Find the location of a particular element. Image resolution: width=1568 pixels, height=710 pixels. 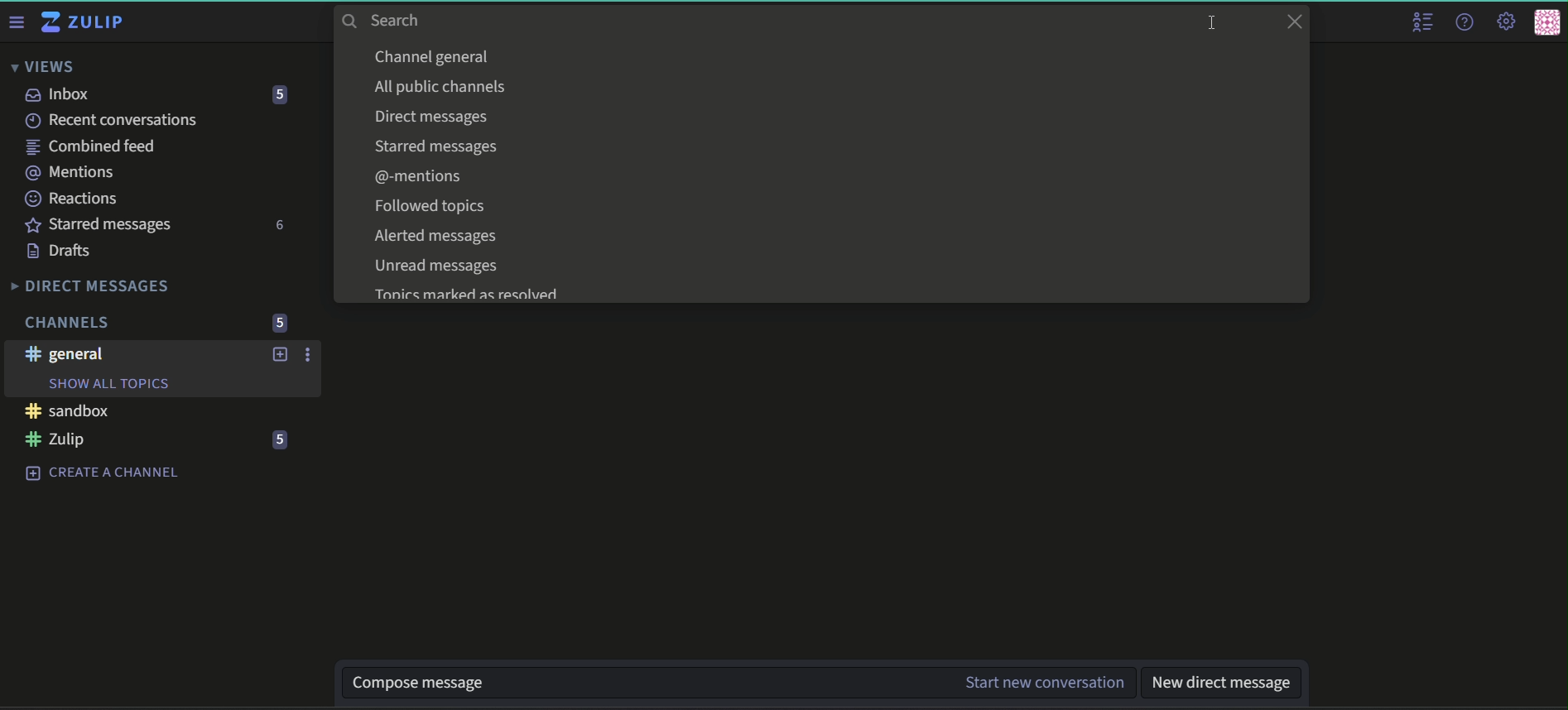

number is located at coordinates (281, 322).